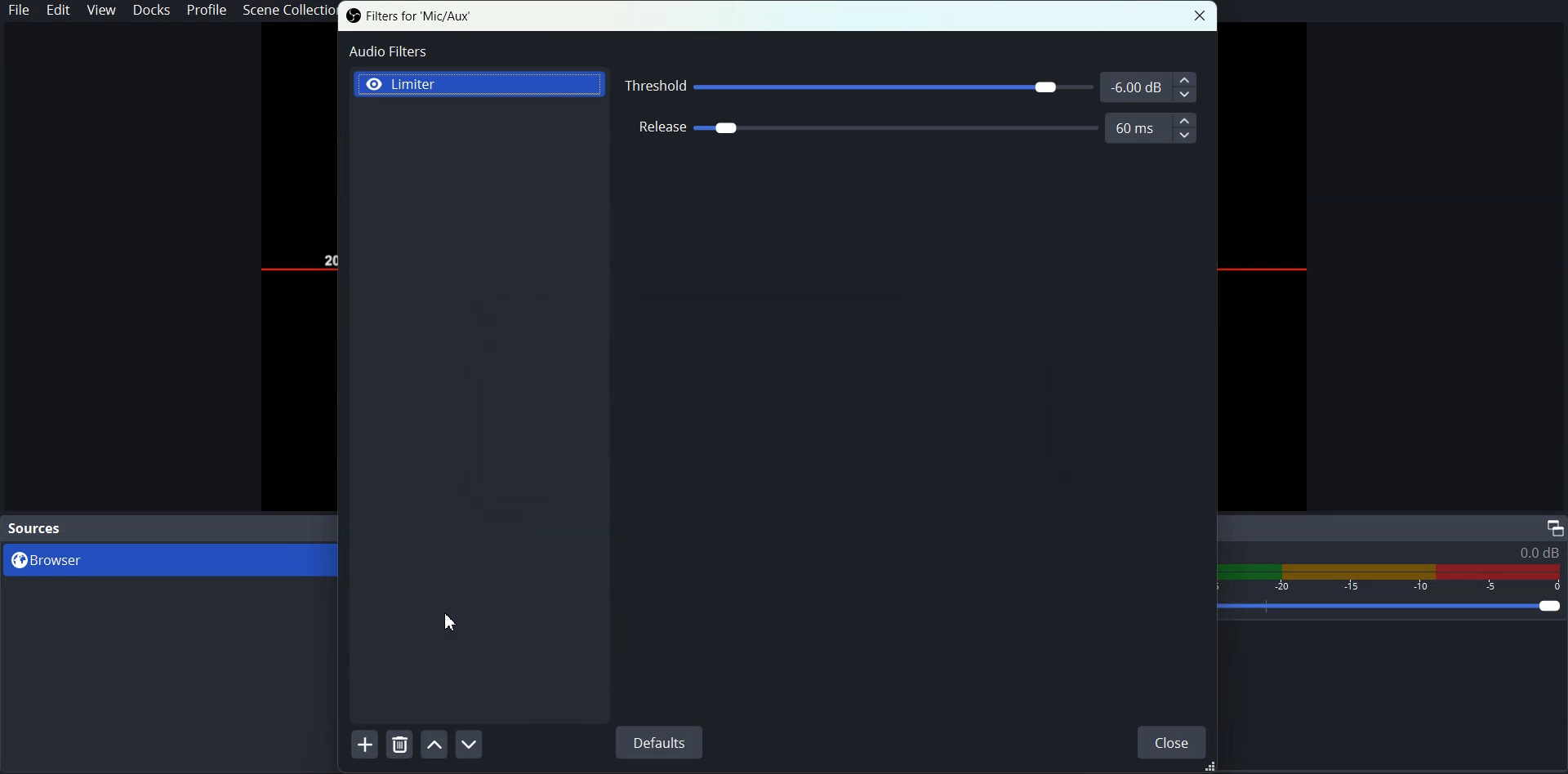  What do you see at coordinates (408, 16) in the screenshot?
I see `Filter for 'Mic/Aux'` at bounding box center [408, 16].